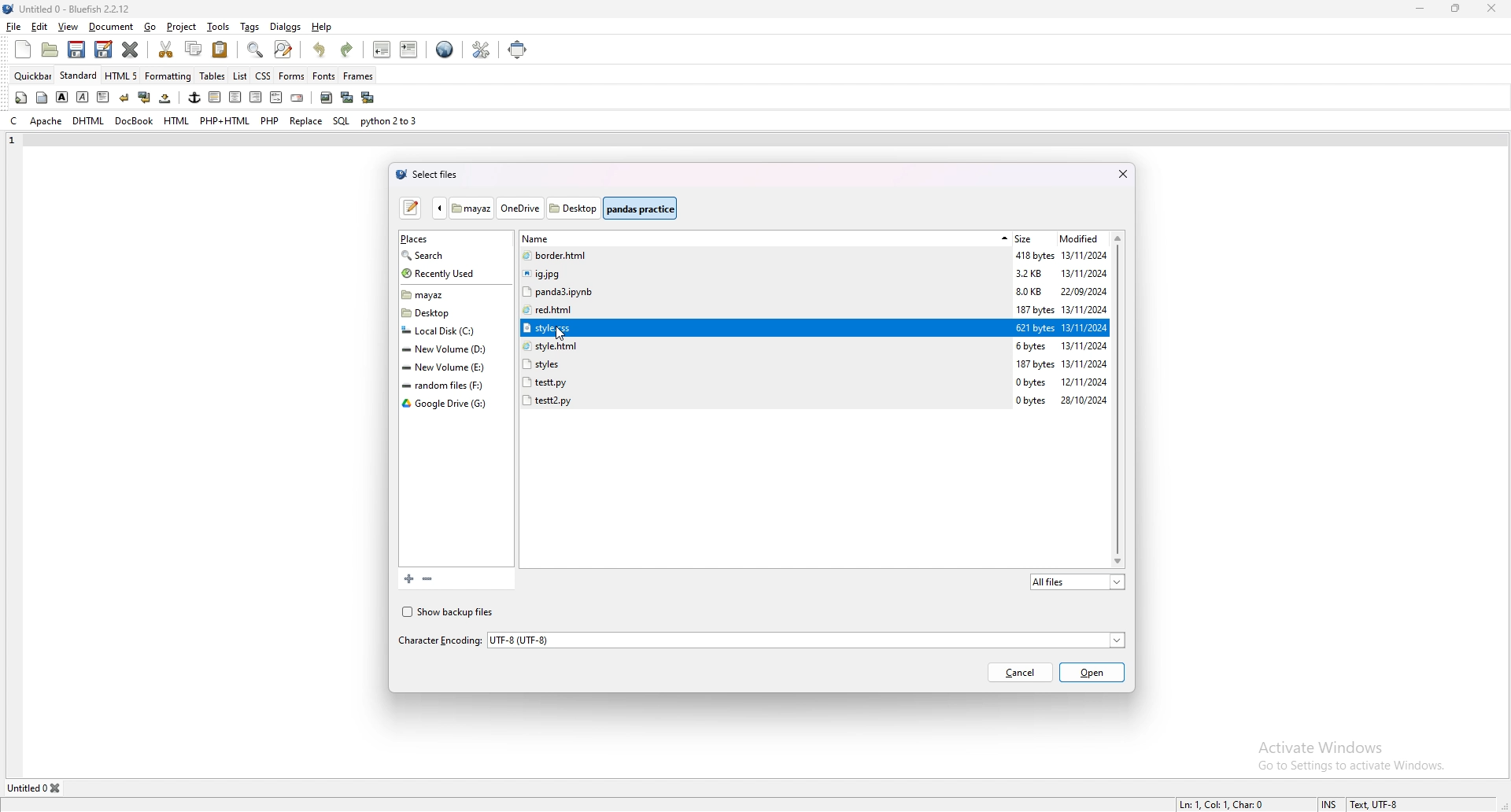 The height and width of the screenshot is (812, 1511). What do you see at coordinates (90, 120) in the screenshot?
I see `dhtml` at bounding box center [90, 120].